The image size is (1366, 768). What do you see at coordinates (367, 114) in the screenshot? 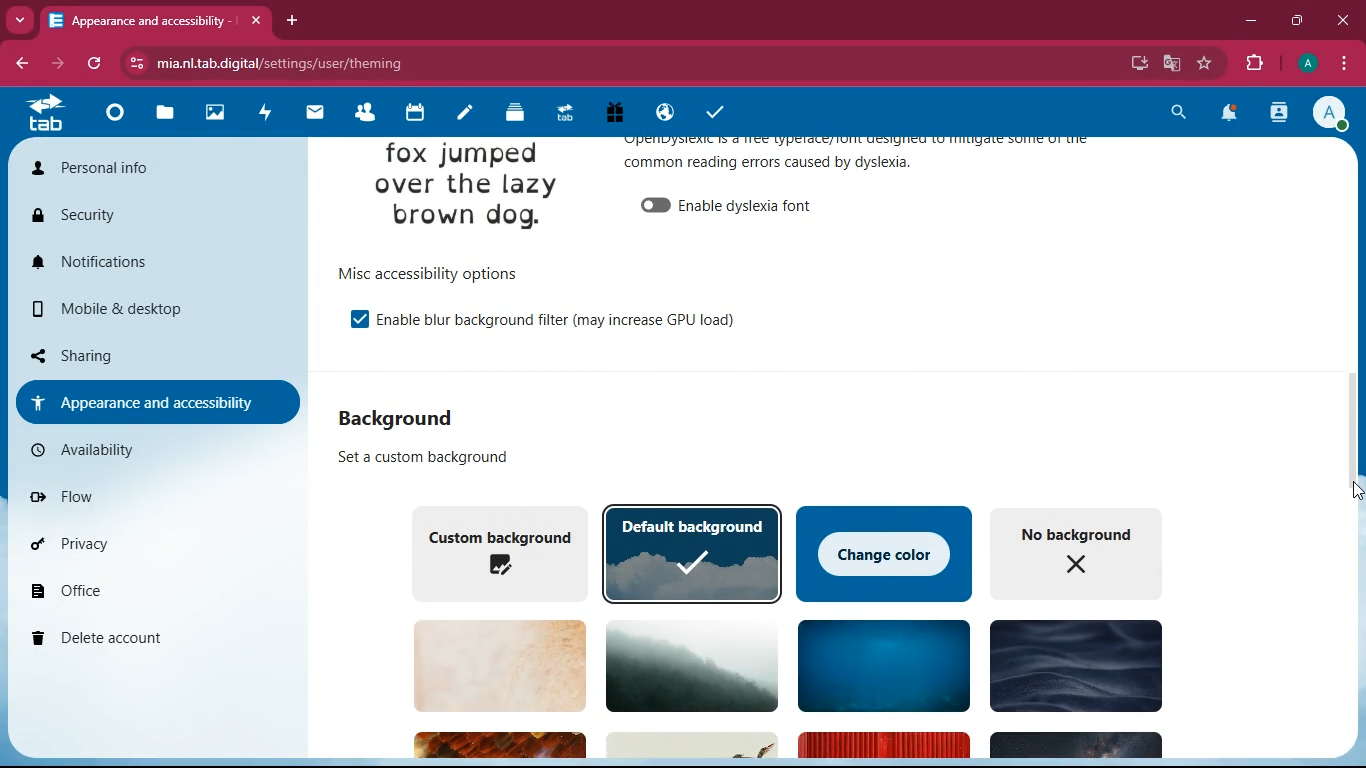
I see `friends` at bounding box center [367, 114].